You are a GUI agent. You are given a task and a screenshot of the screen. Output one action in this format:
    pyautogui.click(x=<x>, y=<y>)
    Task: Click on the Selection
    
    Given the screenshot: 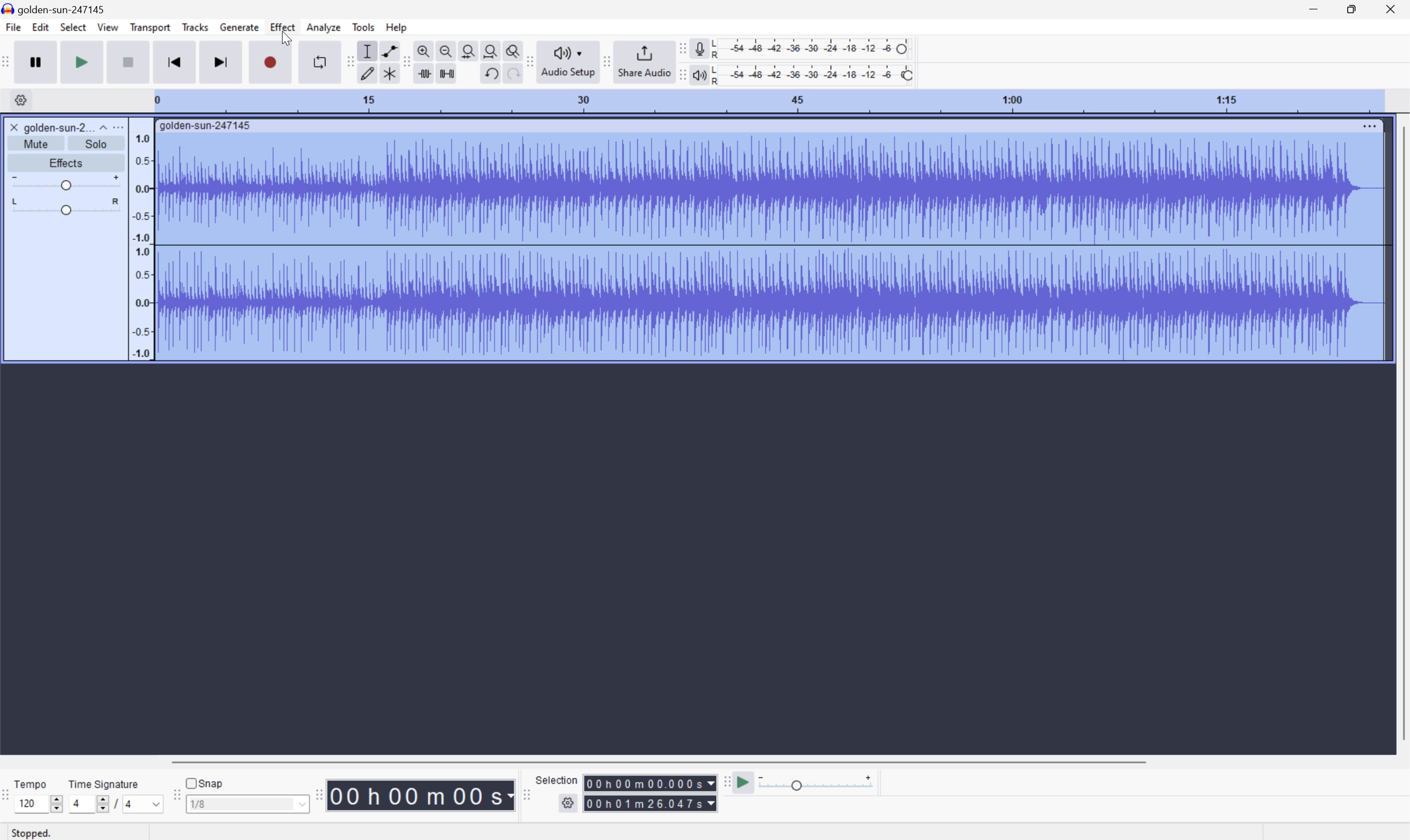 What is the action you would take?
    pyautogui.click(x=649, y=783)
    